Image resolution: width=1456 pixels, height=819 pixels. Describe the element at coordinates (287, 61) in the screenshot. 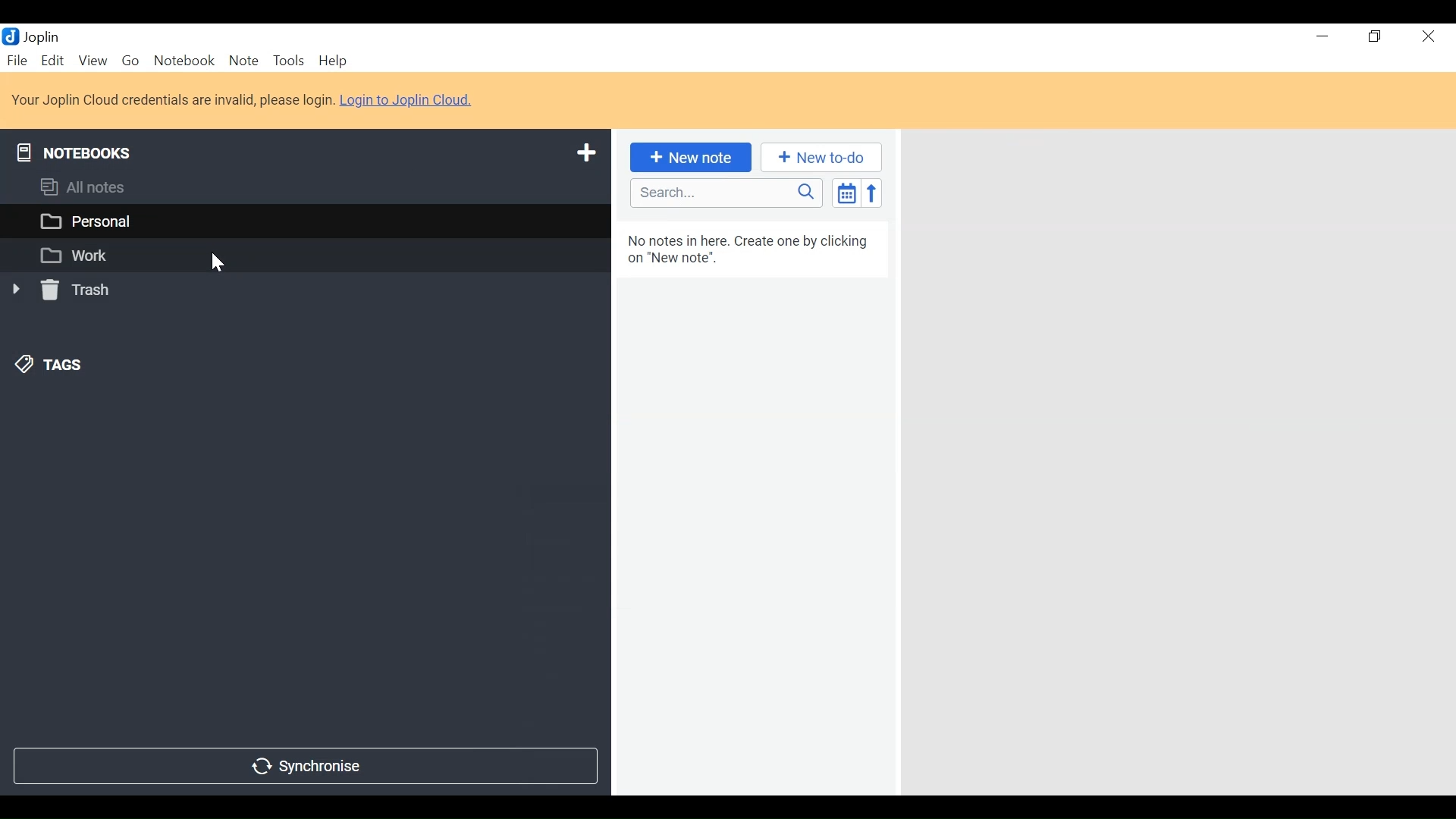

I see `Tools` at that location.